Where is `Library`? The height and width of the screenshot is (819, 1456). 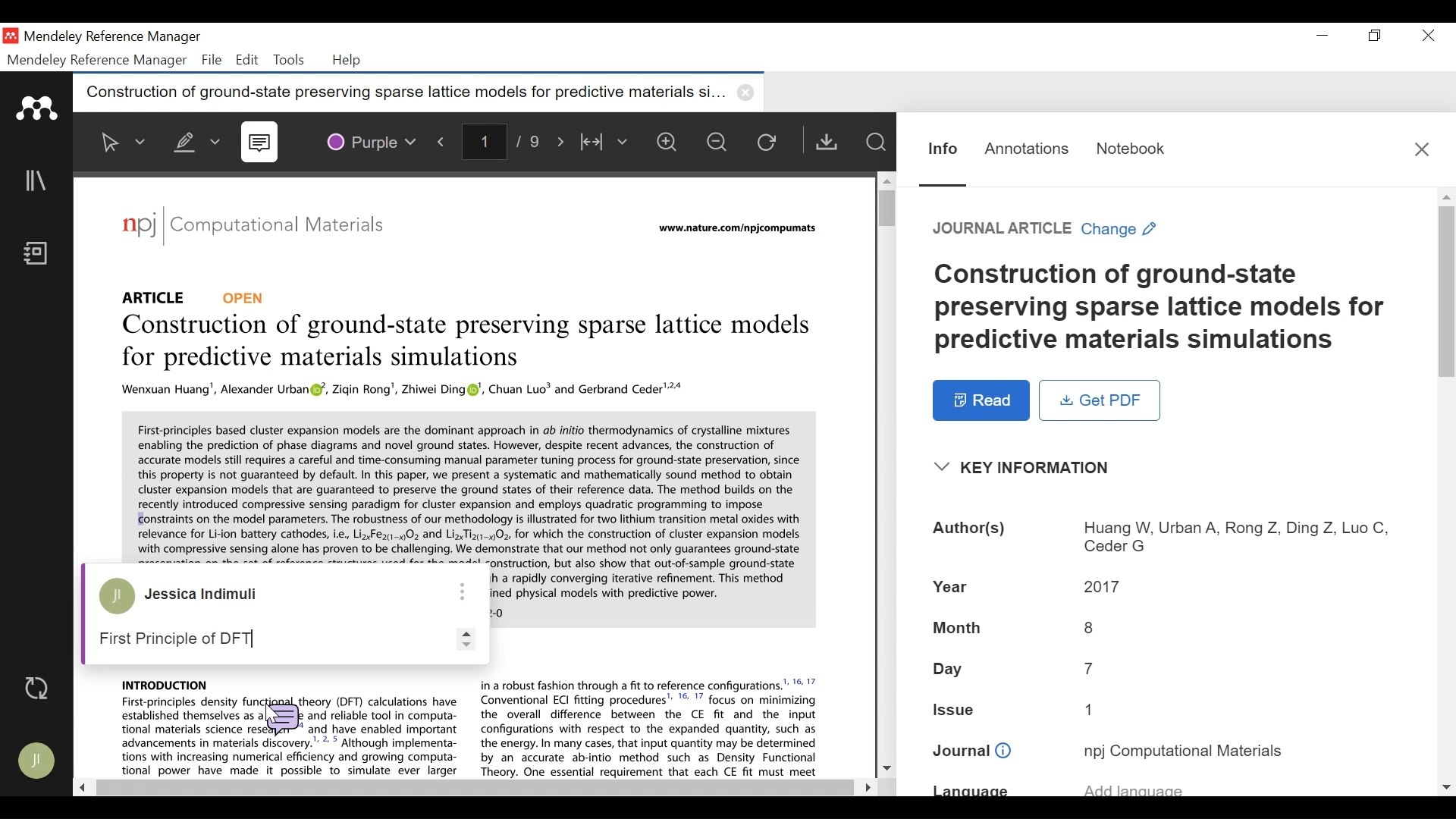
Library is located at coordinates (38, 181).